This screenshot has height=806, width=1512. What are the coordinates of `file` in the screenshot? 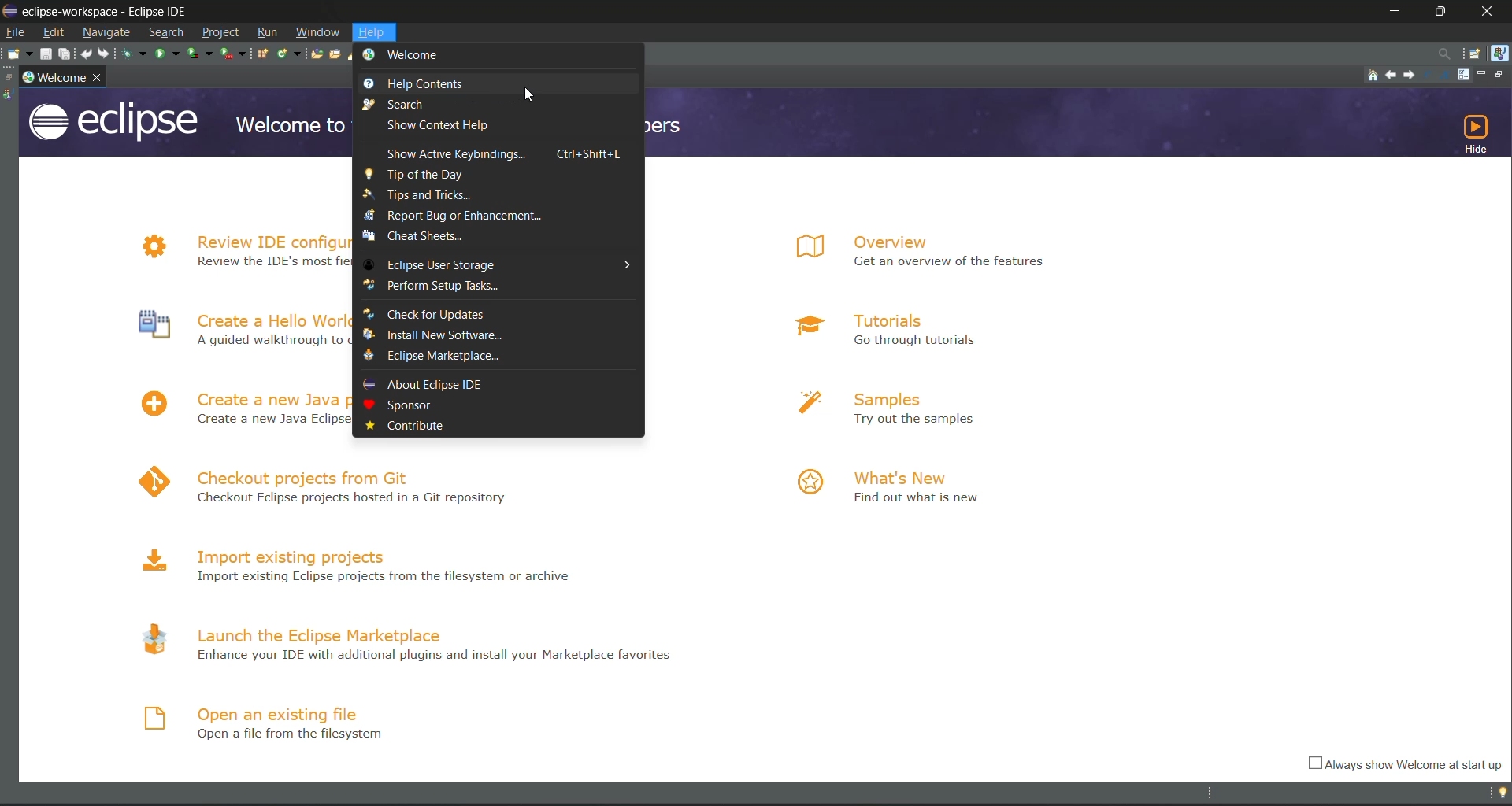 It's located at (17, 29).